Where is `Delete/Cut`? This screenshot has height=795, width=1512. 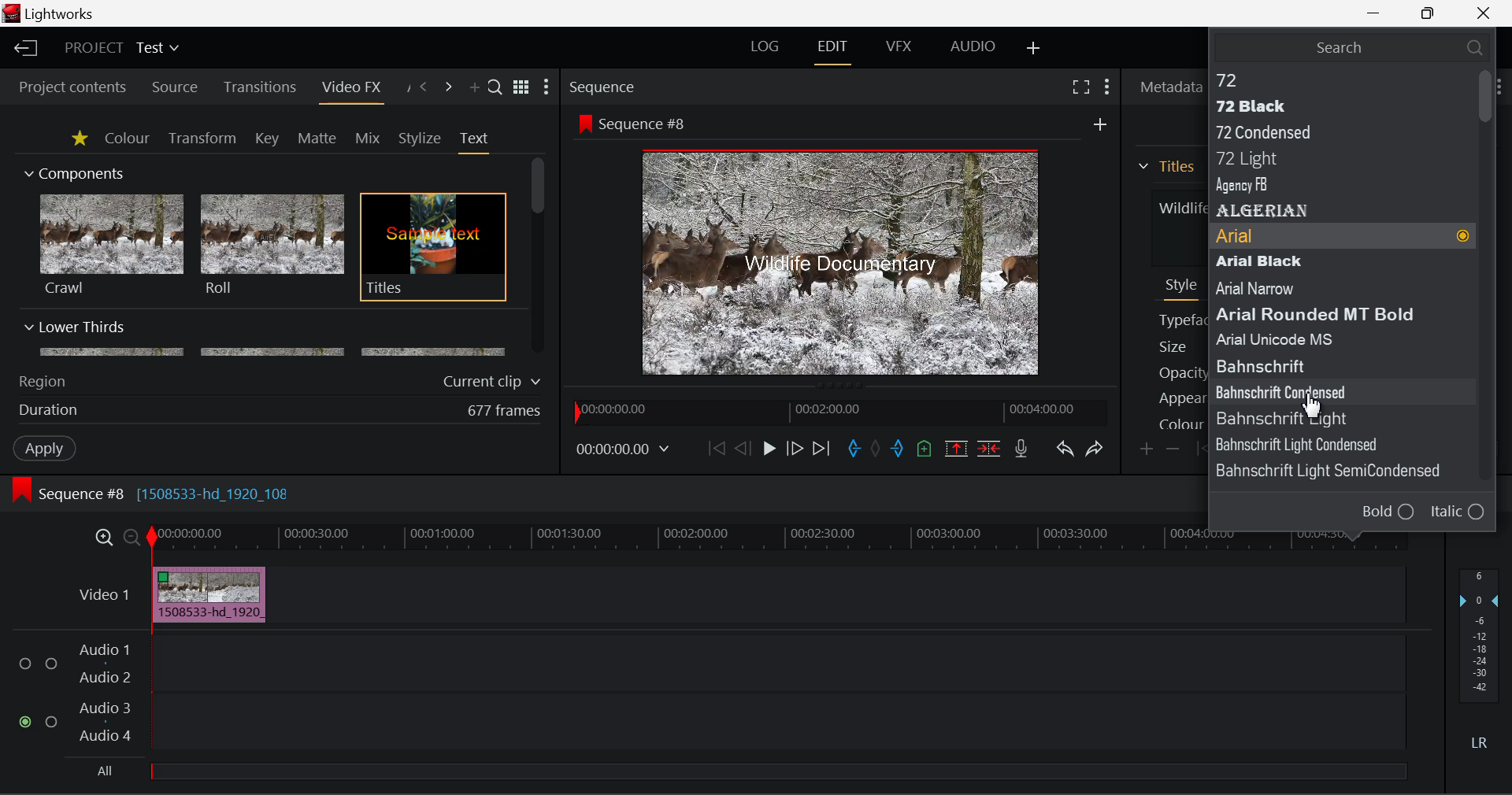 Delete/Cut is located at coordinates (991, 448).